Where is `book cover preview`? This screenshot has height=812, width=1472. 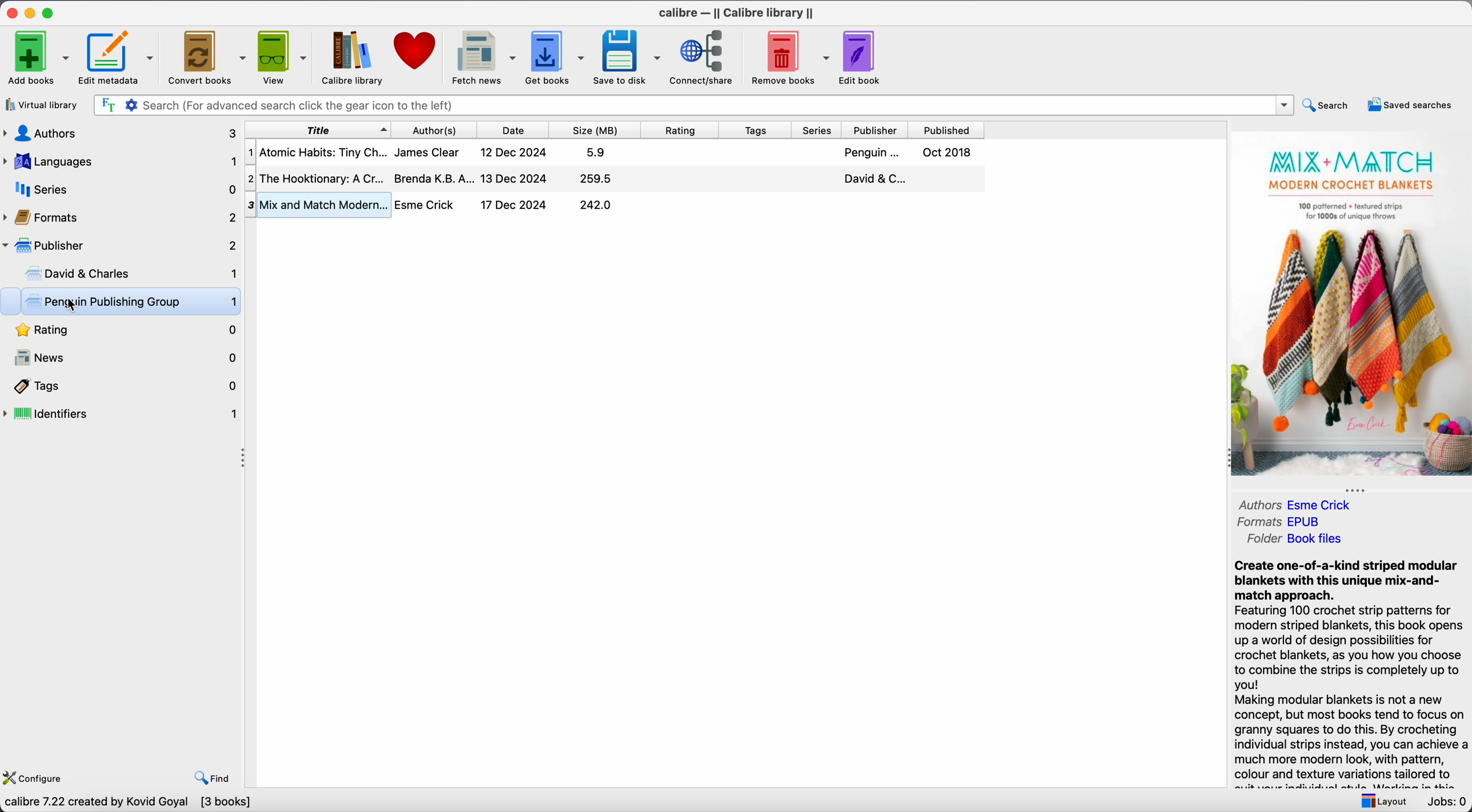
book cover preview is located at coordinates (1351, 305).